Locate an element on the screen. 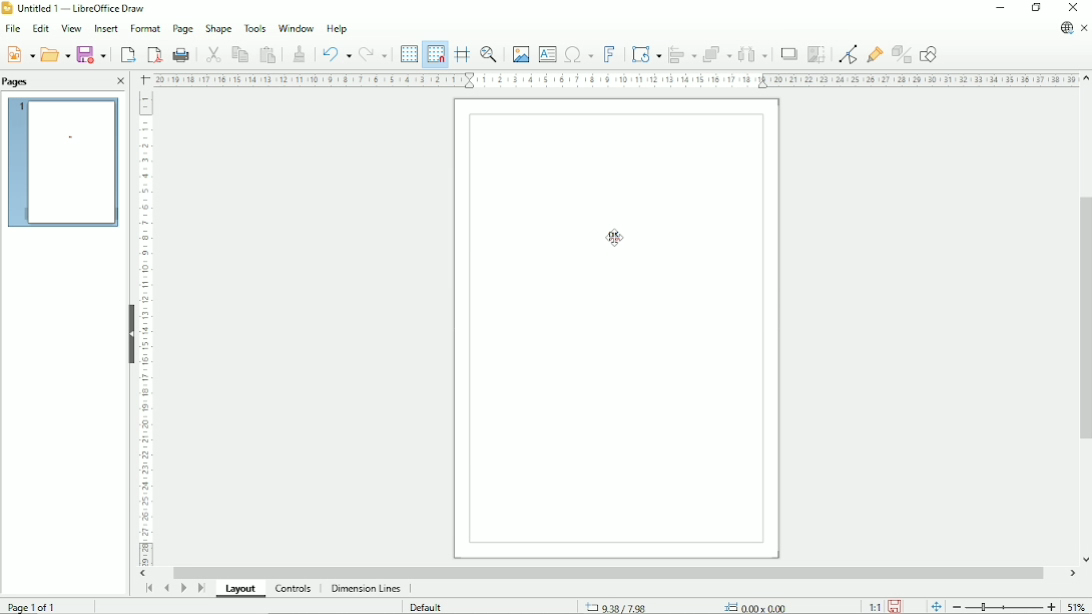  Default is located at coordinates (429, 607).